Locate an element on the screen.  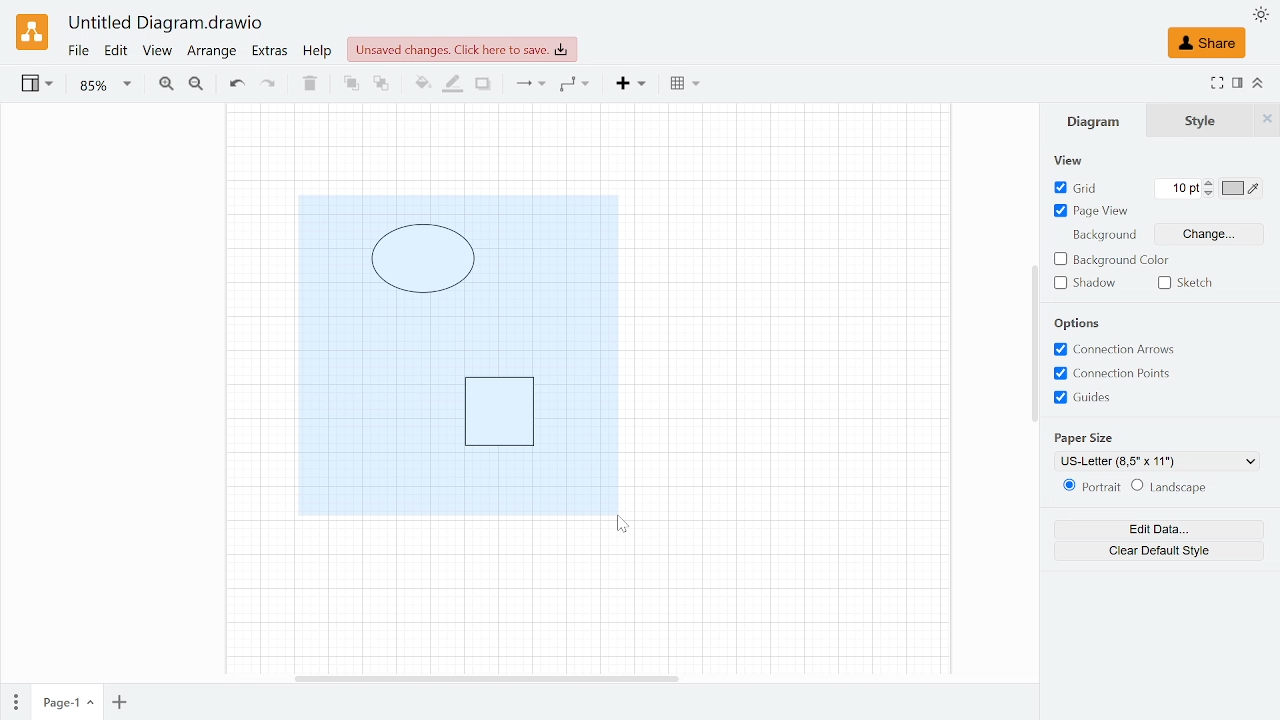
Share is located at coordinates (1206, 43).